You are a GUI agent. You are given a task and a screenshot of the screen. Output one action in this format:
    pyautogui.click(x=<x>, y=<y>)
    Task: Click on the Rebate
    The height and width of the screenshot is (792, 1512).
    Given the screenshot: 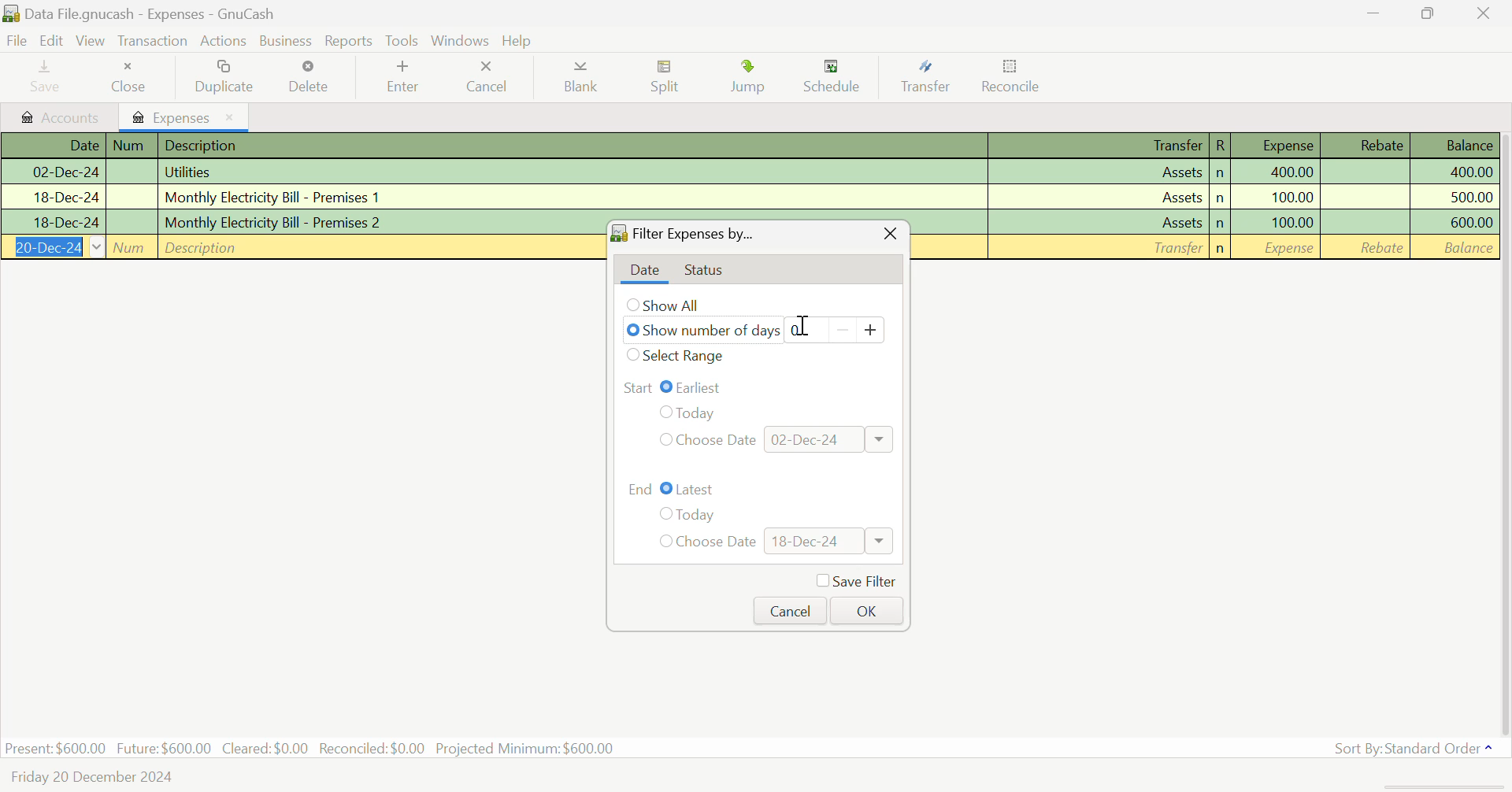 What is the action you would take?
    pyautogui.click(x=1366, y=222)
    